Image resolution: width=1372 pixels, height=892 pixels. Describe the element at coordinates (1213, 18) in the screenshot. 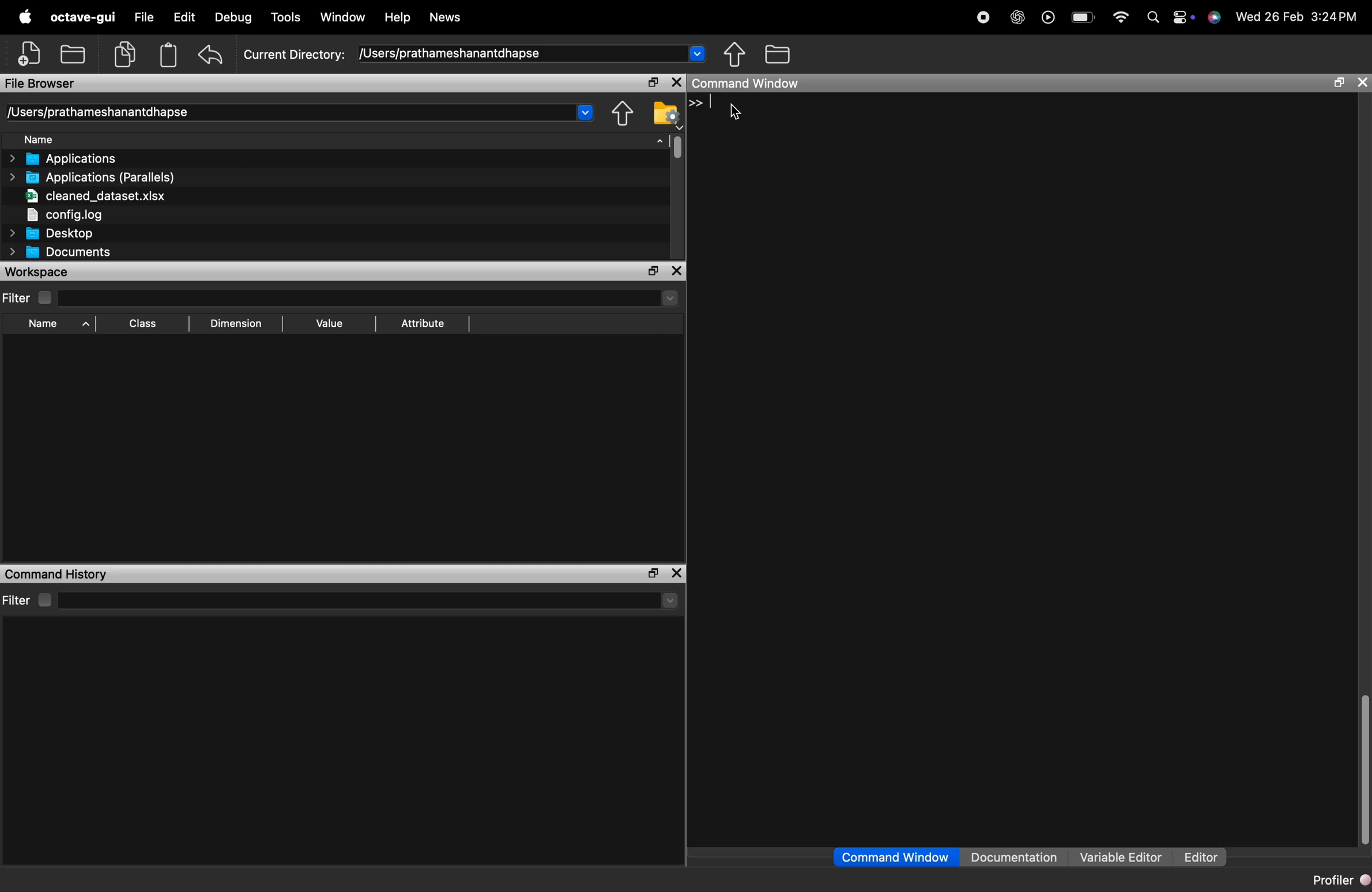

I see `siri` at that location.